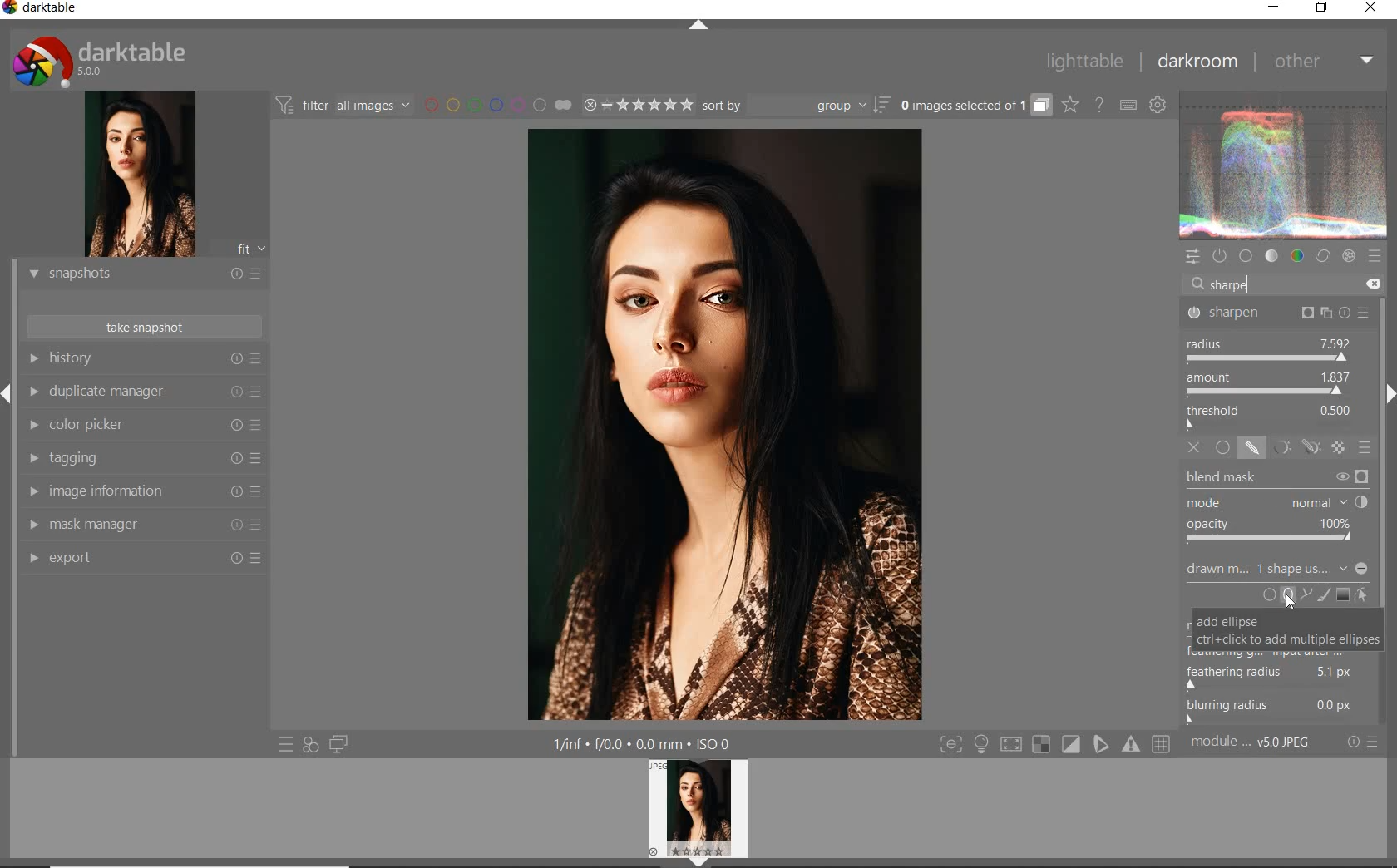 The height and width of the screenshot is (868, 1397). Describe the element at coordinates (1281, 710) in the screenshot. I see `BLURRING RADIUS` at that location.